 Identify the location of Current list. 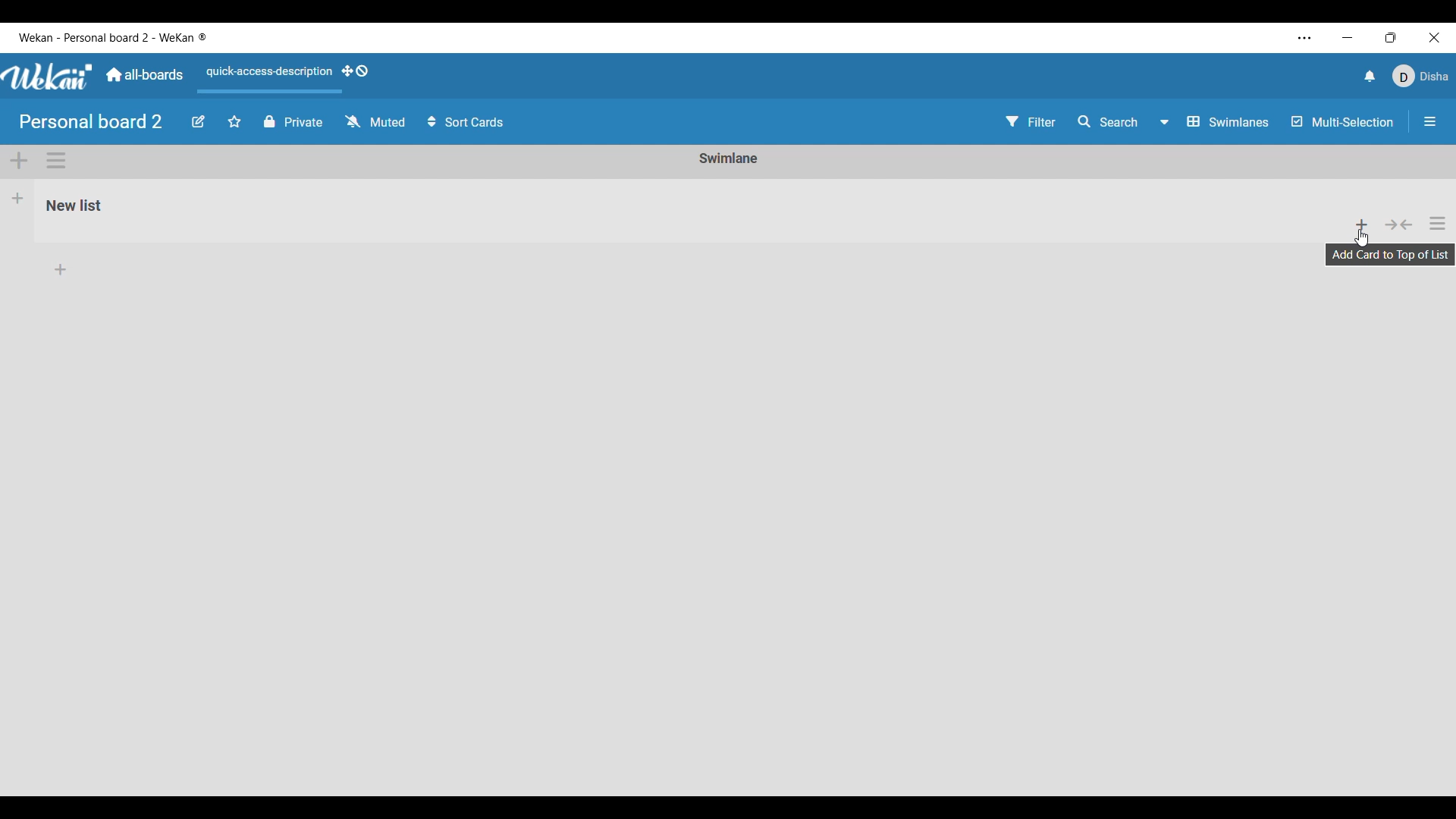
(677, 212).